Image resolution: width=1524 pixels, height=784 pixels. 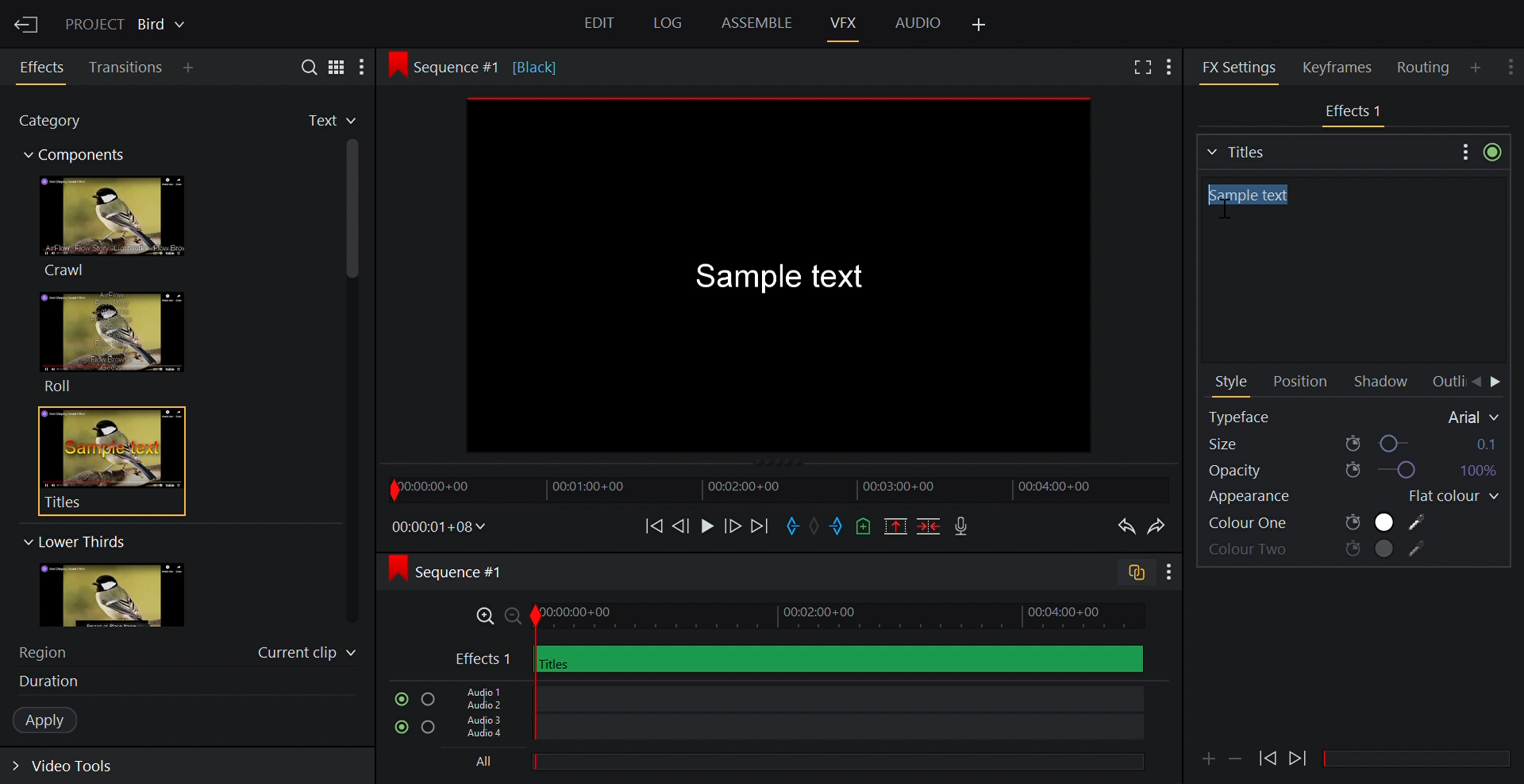 I want to click on Video Track Effects, so click(x=799, y=659).